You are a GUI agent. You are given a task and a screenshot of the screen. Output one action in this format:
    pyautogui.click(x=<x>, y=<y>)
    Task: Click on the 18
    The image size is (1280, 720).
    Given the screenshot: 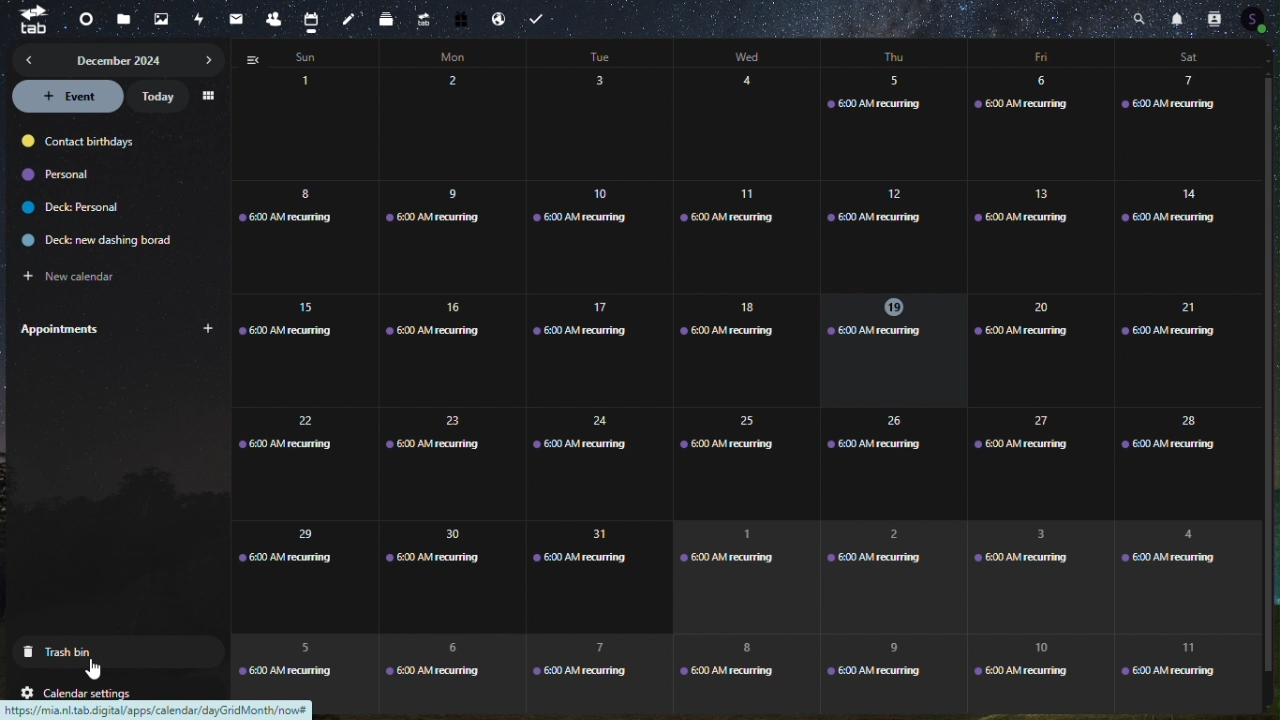 What is the action you would take?
    pyautogui.click(x=734, y=347)
    